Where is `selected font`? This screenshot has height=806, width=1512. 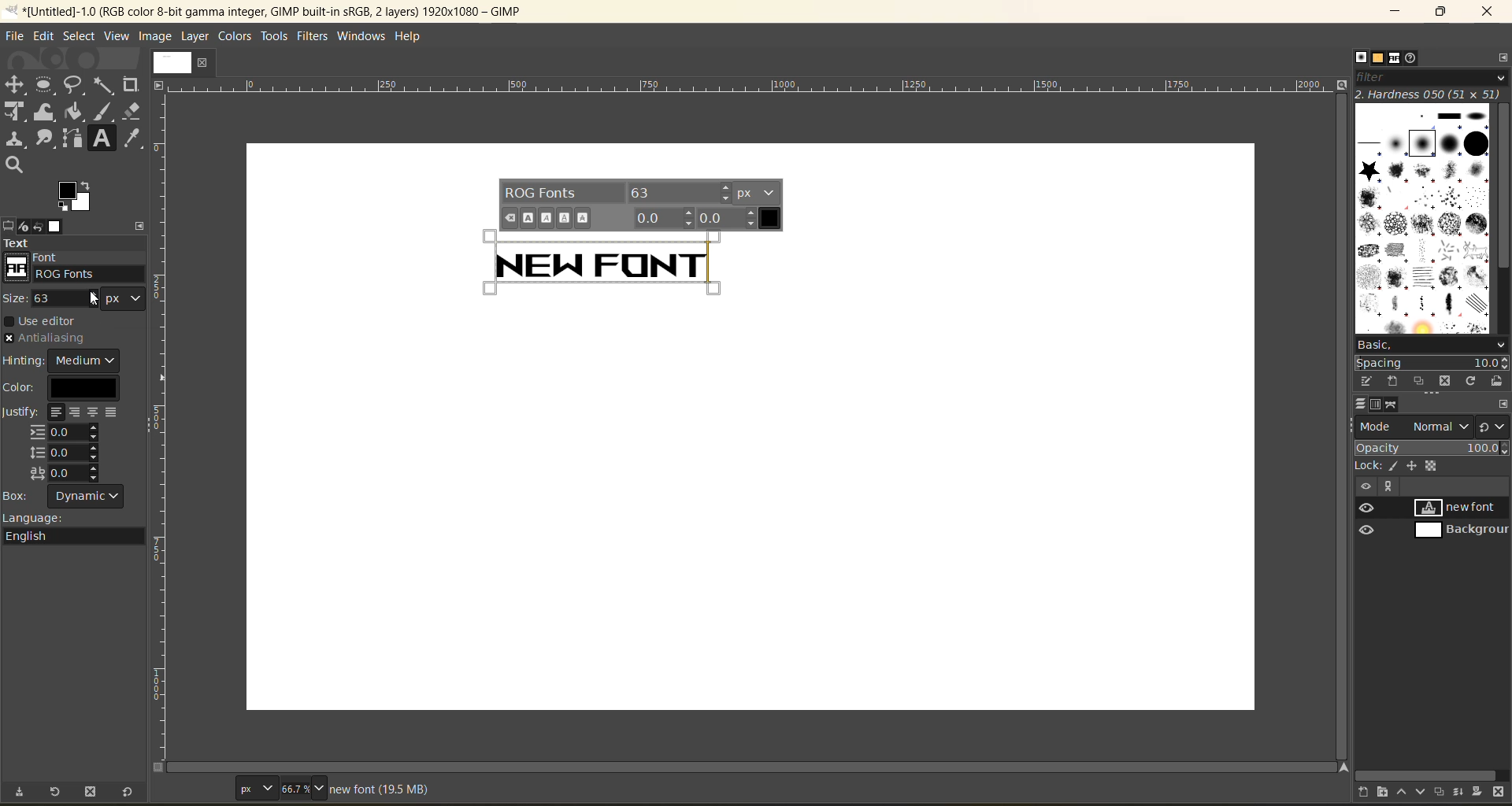
selected font is located at coordinates (61, 272).